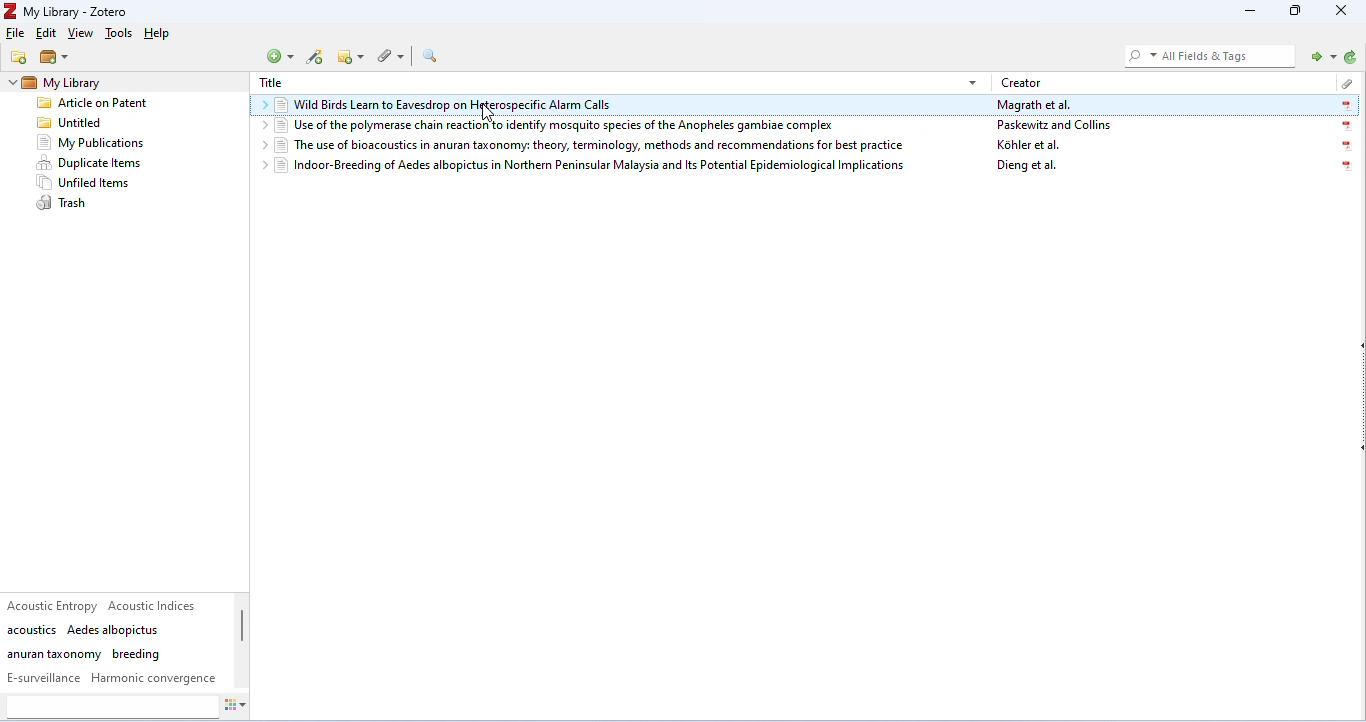 Image resolution: width=1366 pixels, height=722 pixels. I want to click on vertical scroll bar, so click(243, 643).